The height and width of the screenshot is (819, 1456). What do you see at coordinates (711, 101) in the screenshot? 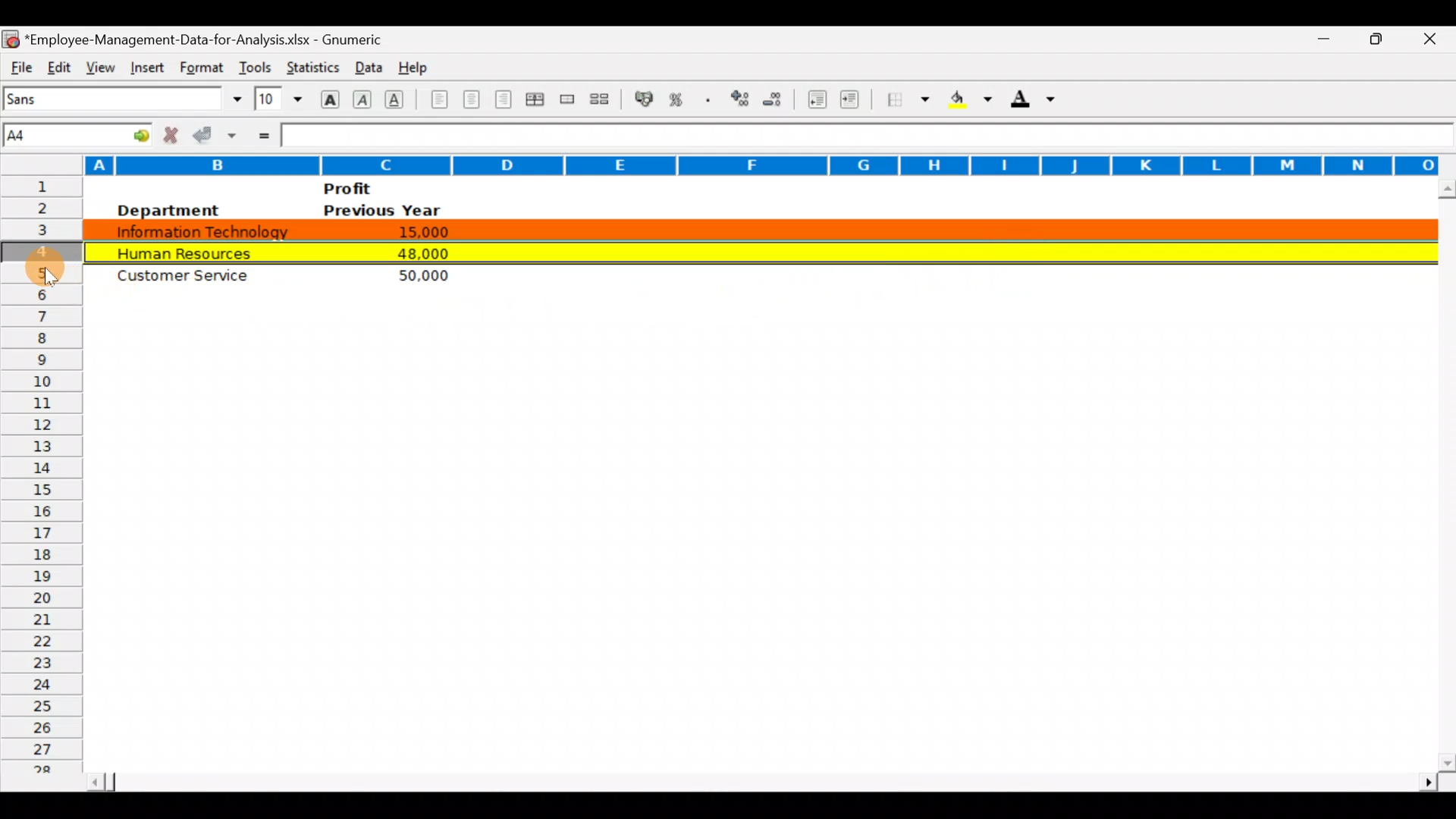
I see `Include a thousands operator` at bounding box center [711, 101].